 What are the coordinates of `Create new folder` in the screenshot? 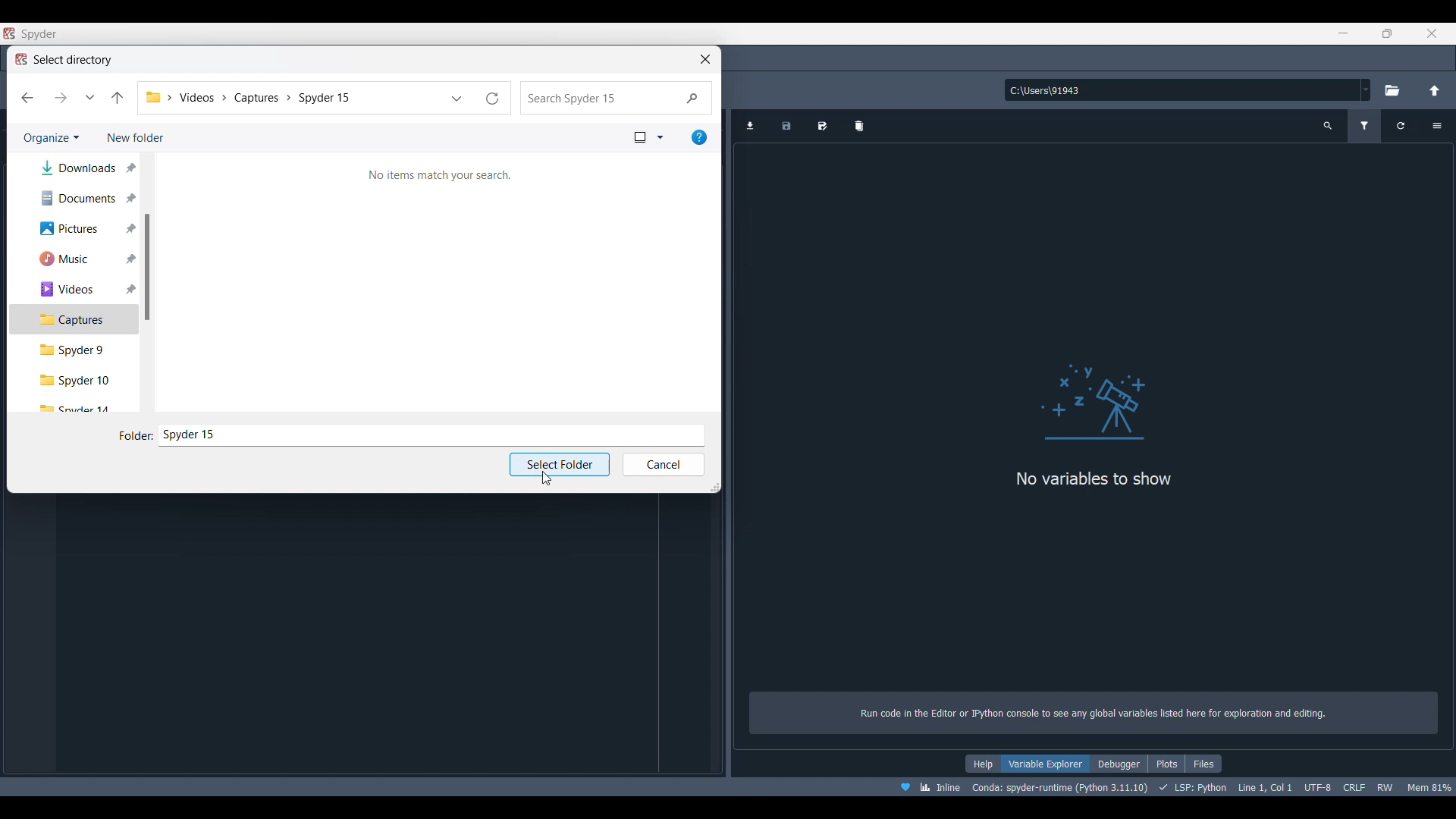 It's located at (134, 138).